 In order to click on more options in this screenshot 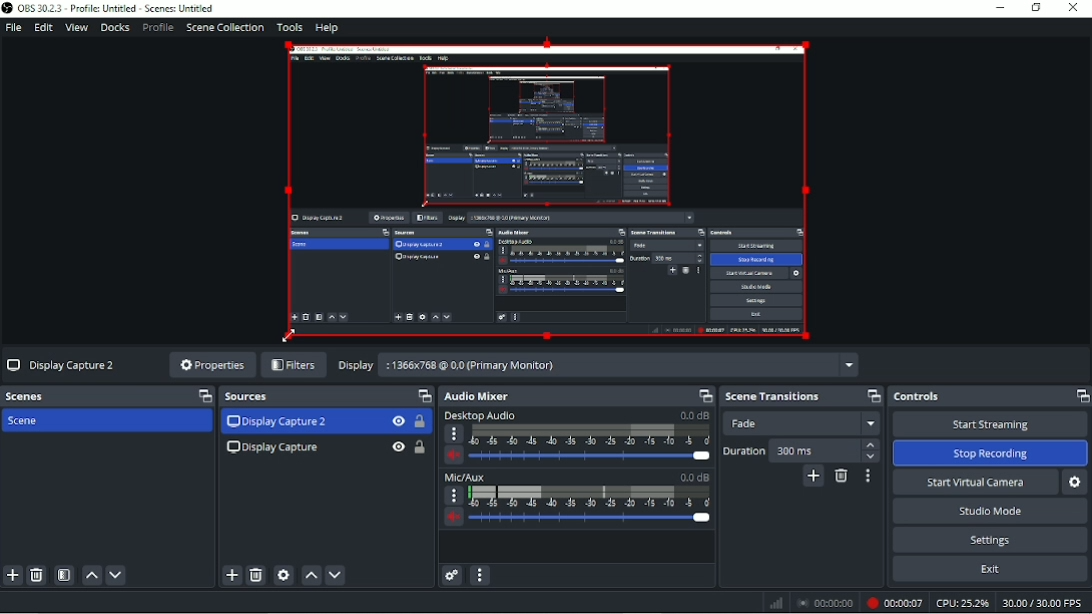, I will do `click(454, 434)`.